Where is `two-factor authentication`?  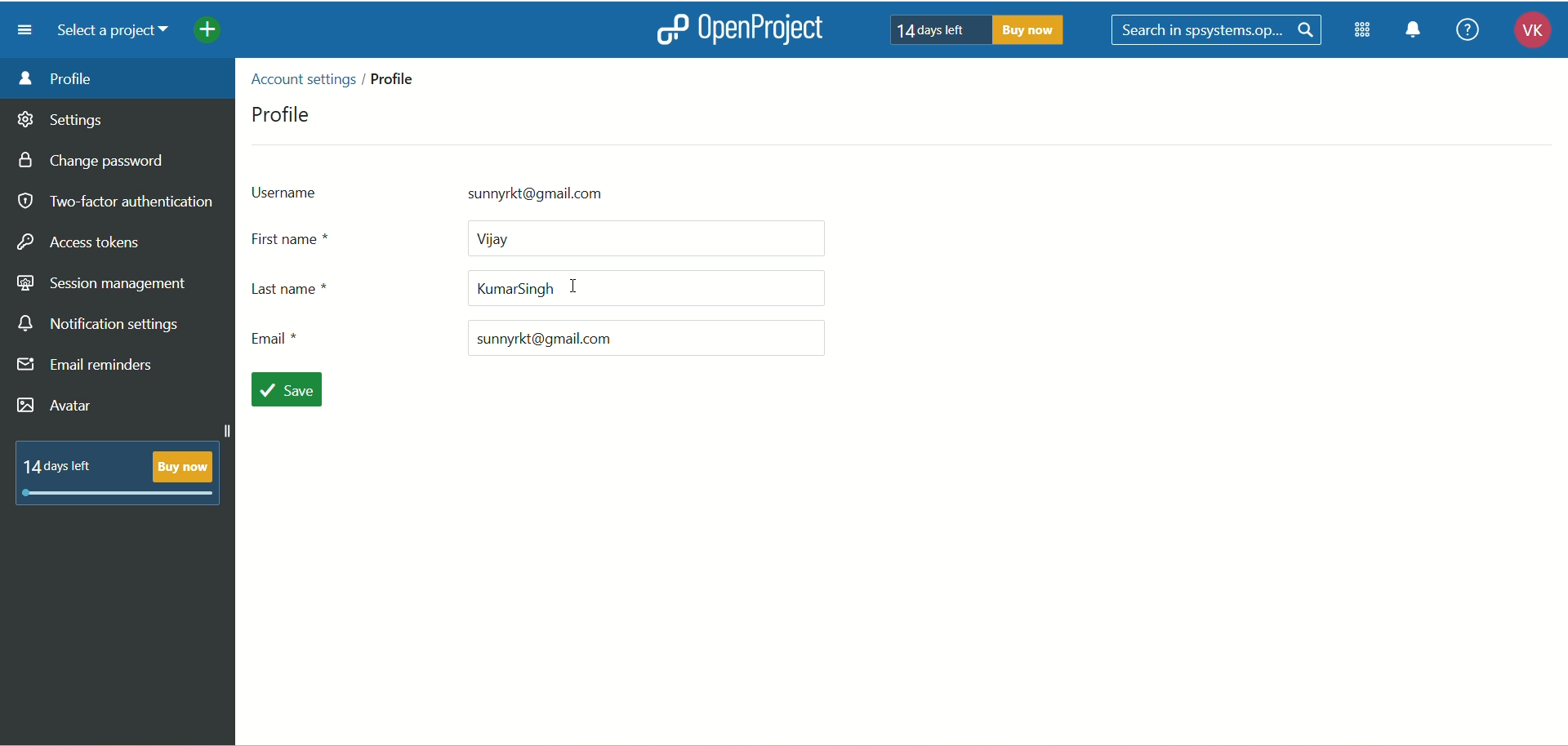
two-factor authentication is located at coordinates (114, 202).